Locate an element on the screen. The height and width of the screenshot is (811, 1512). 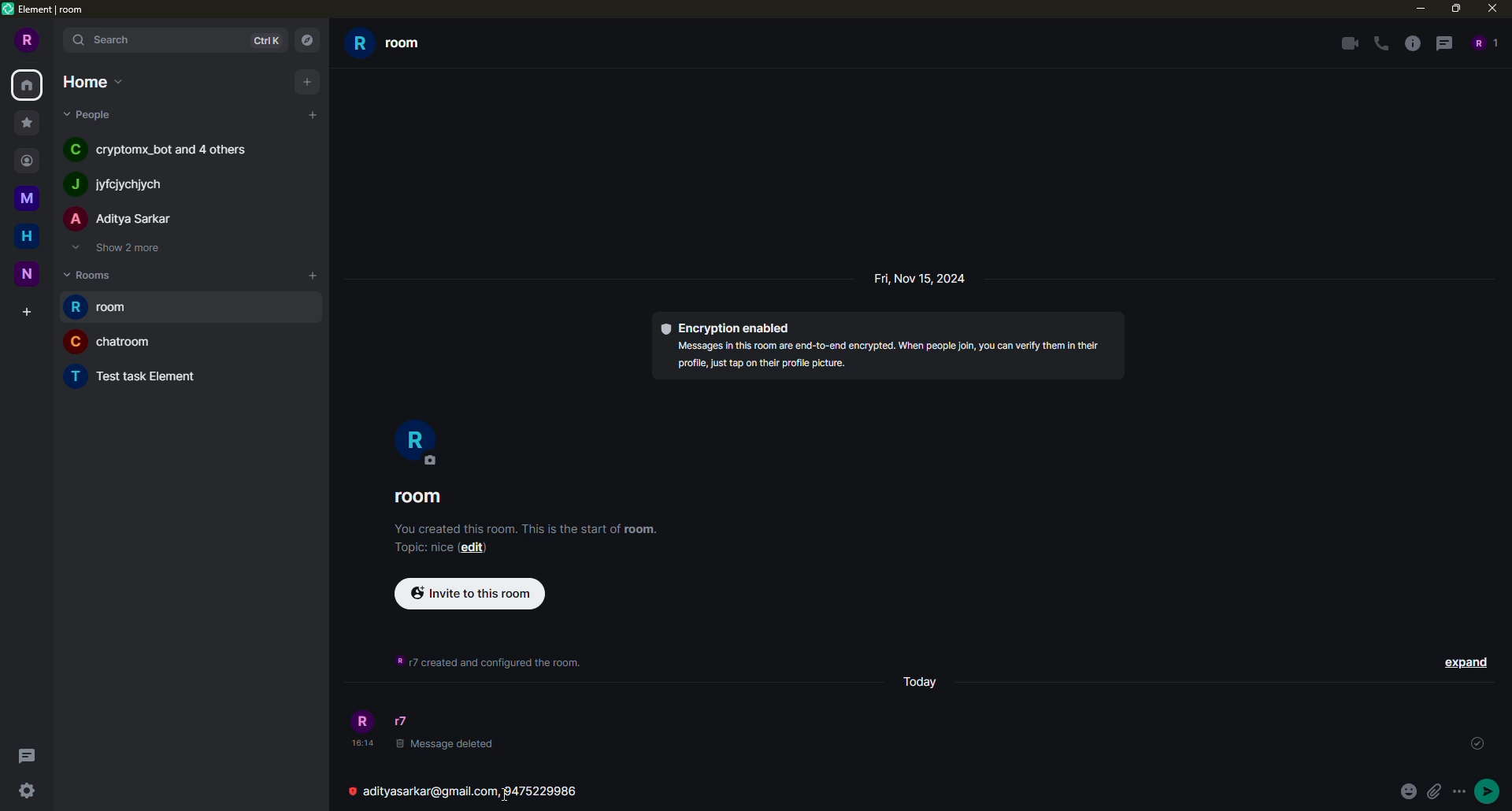
video call is located at coordinates (1343, 42).